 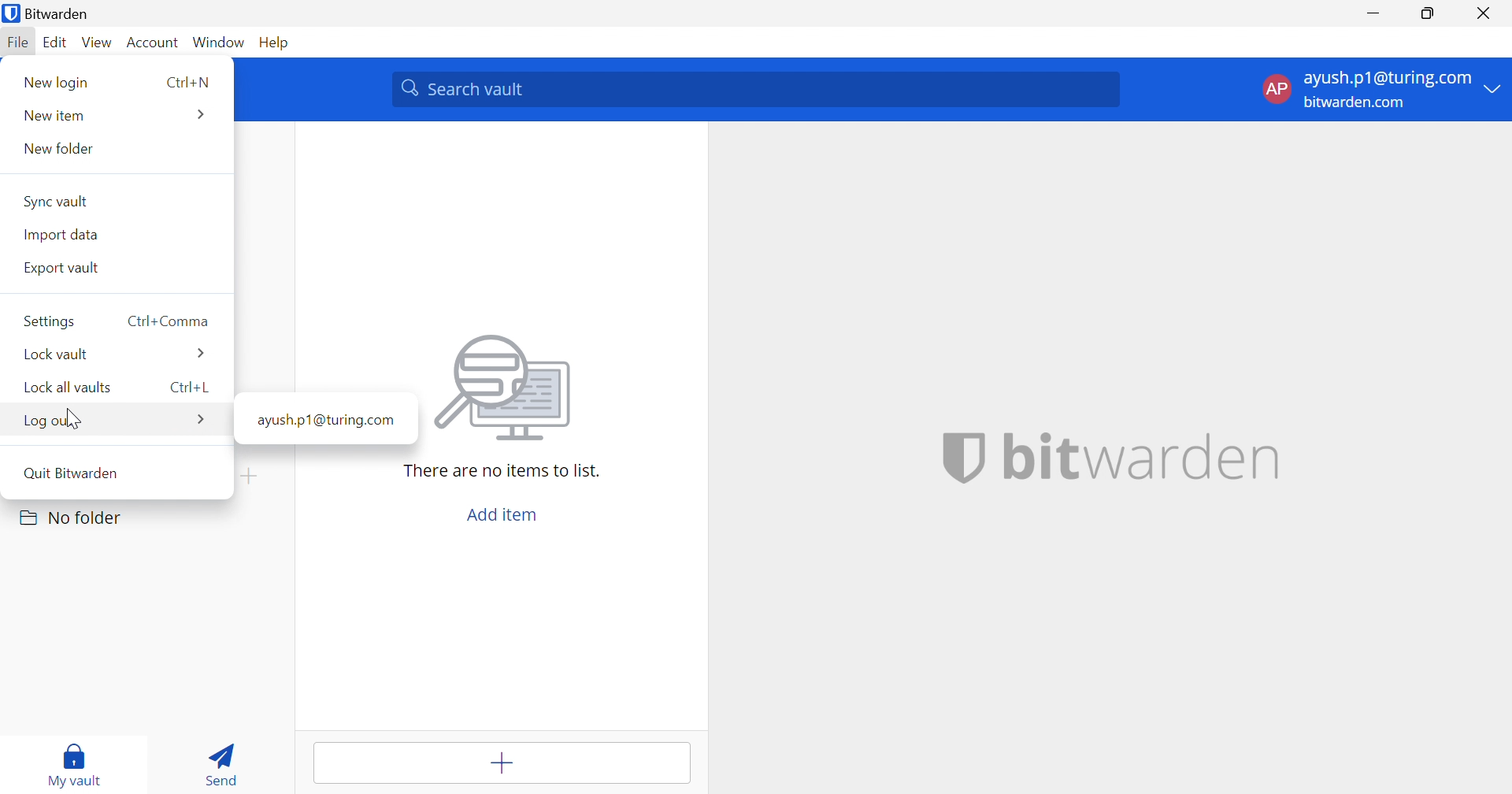 What do you see at coordinates (276, 42) in the screenshot?
I see `Help` at bounding box center [276, 42].